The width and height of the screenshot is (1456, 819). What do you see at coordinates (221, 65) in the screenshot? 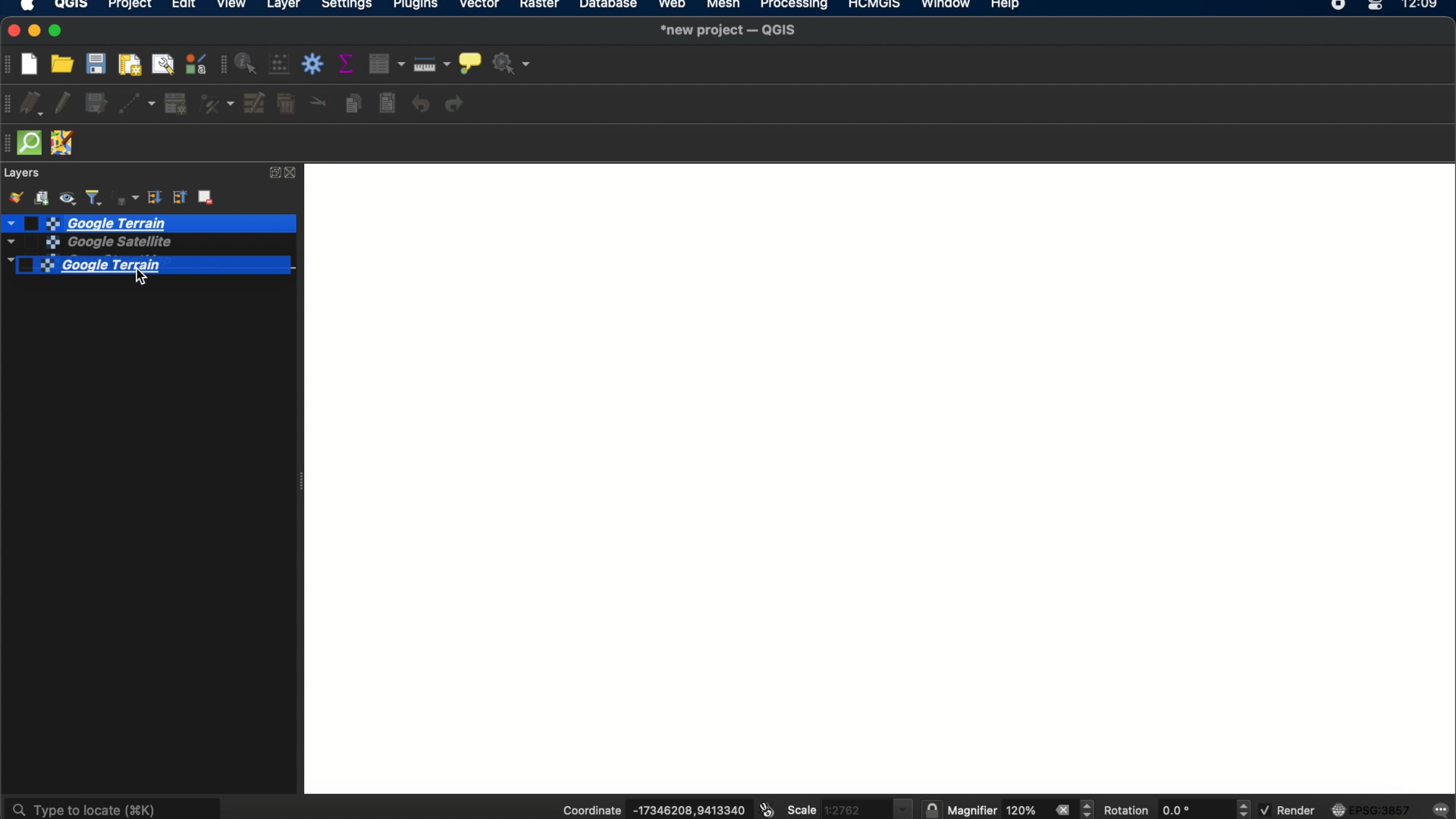
I see `attributes toolbar` at bounding box center [221, 65].